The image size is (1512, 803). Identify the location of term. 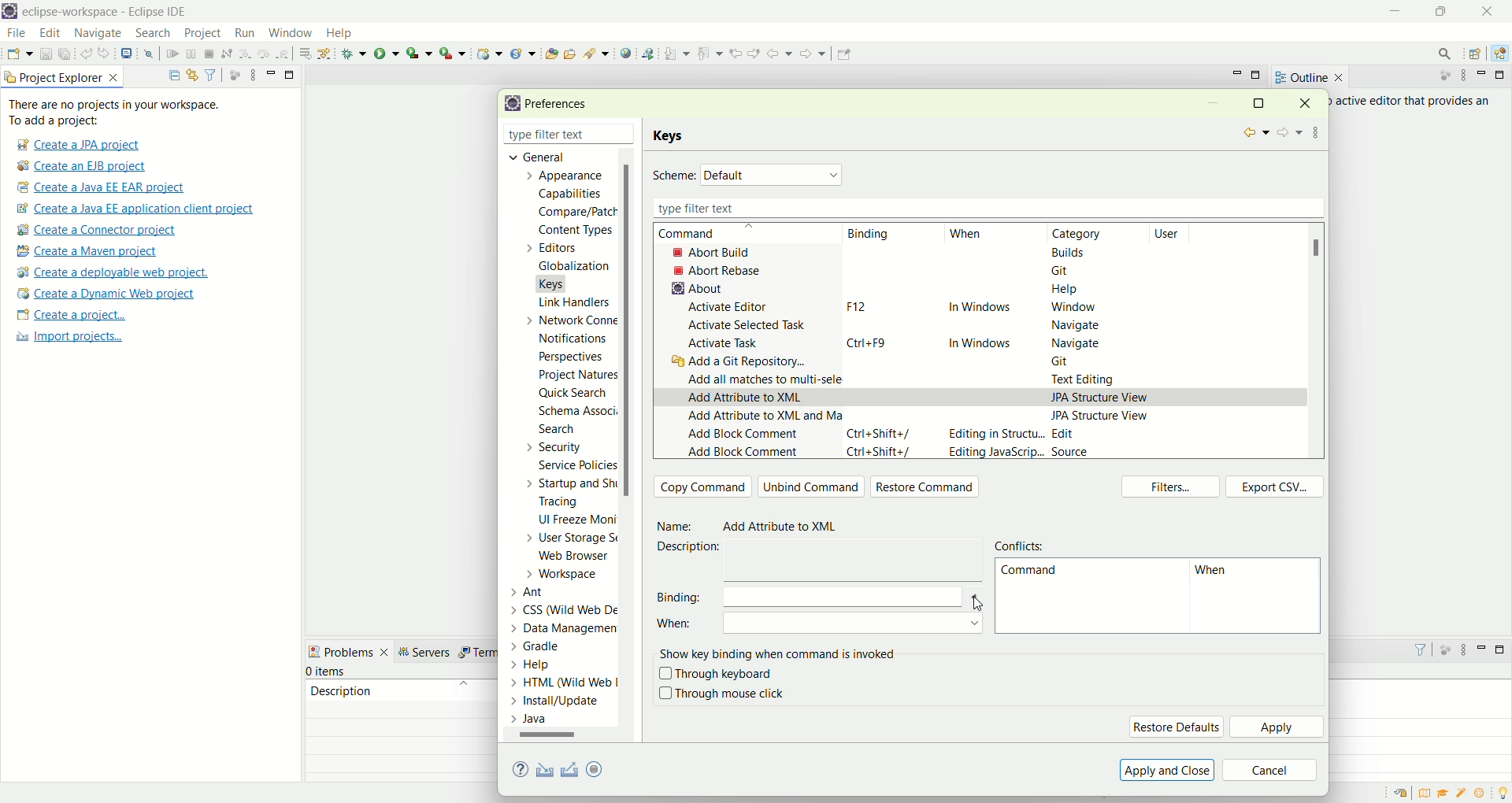
(476, 653).